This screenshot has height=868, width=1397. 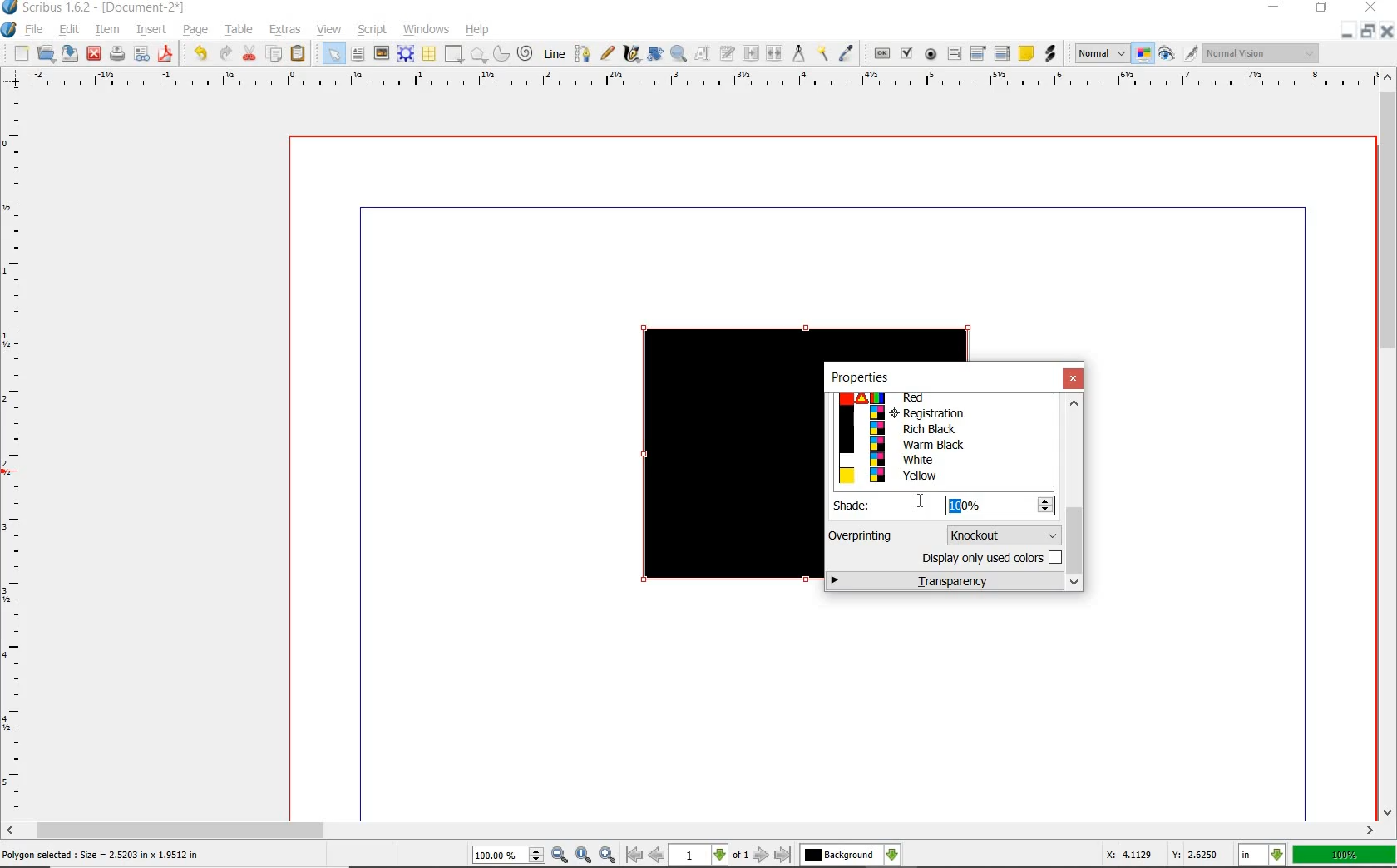 What do you see at coordinates (851, 855) in the screenshot?
I see `select the current layer` at bounding box center [851, 855].